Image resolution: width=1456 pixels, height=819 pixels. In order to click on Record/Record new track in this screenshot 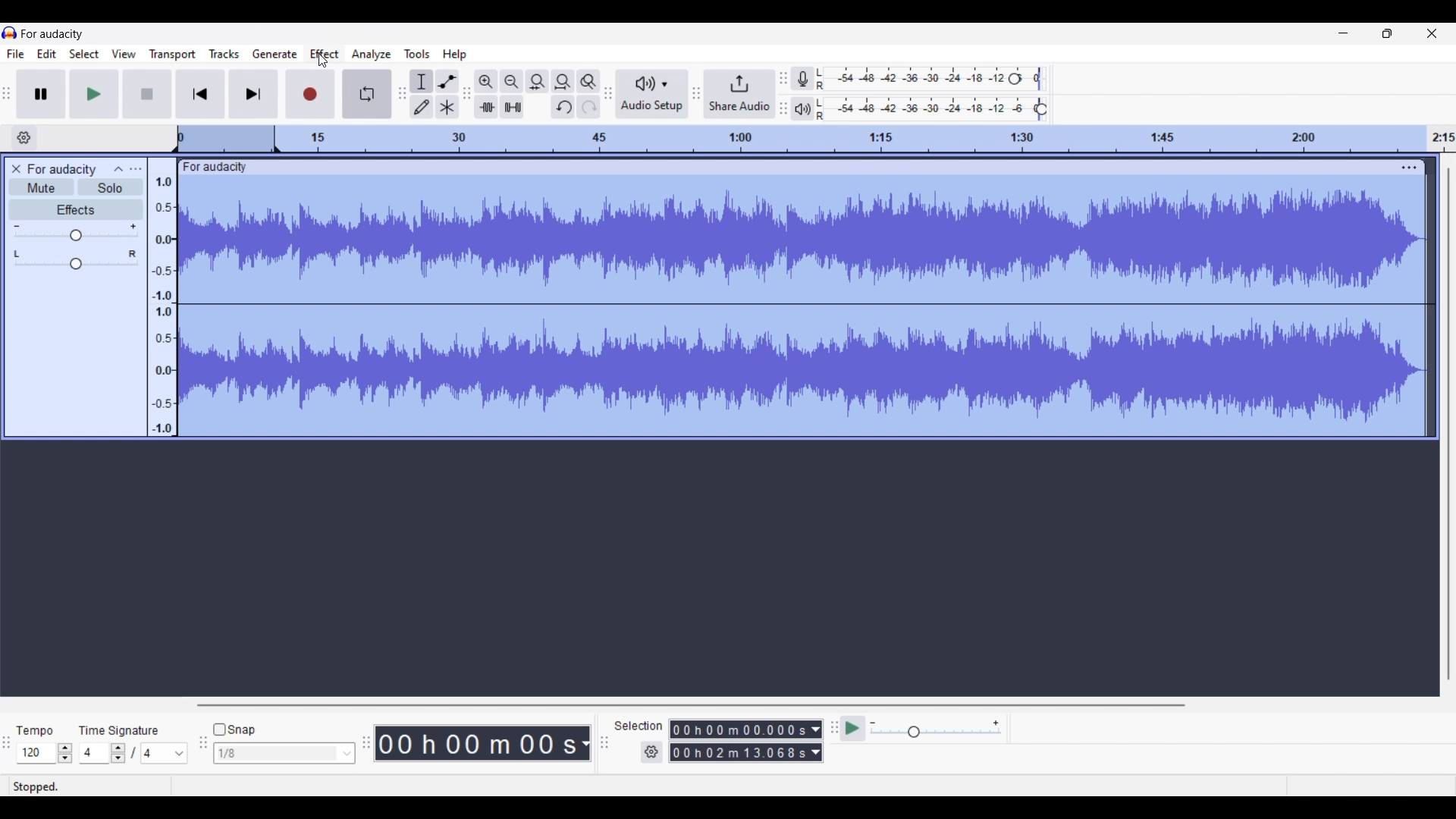, I will do `click(311, 94)`.